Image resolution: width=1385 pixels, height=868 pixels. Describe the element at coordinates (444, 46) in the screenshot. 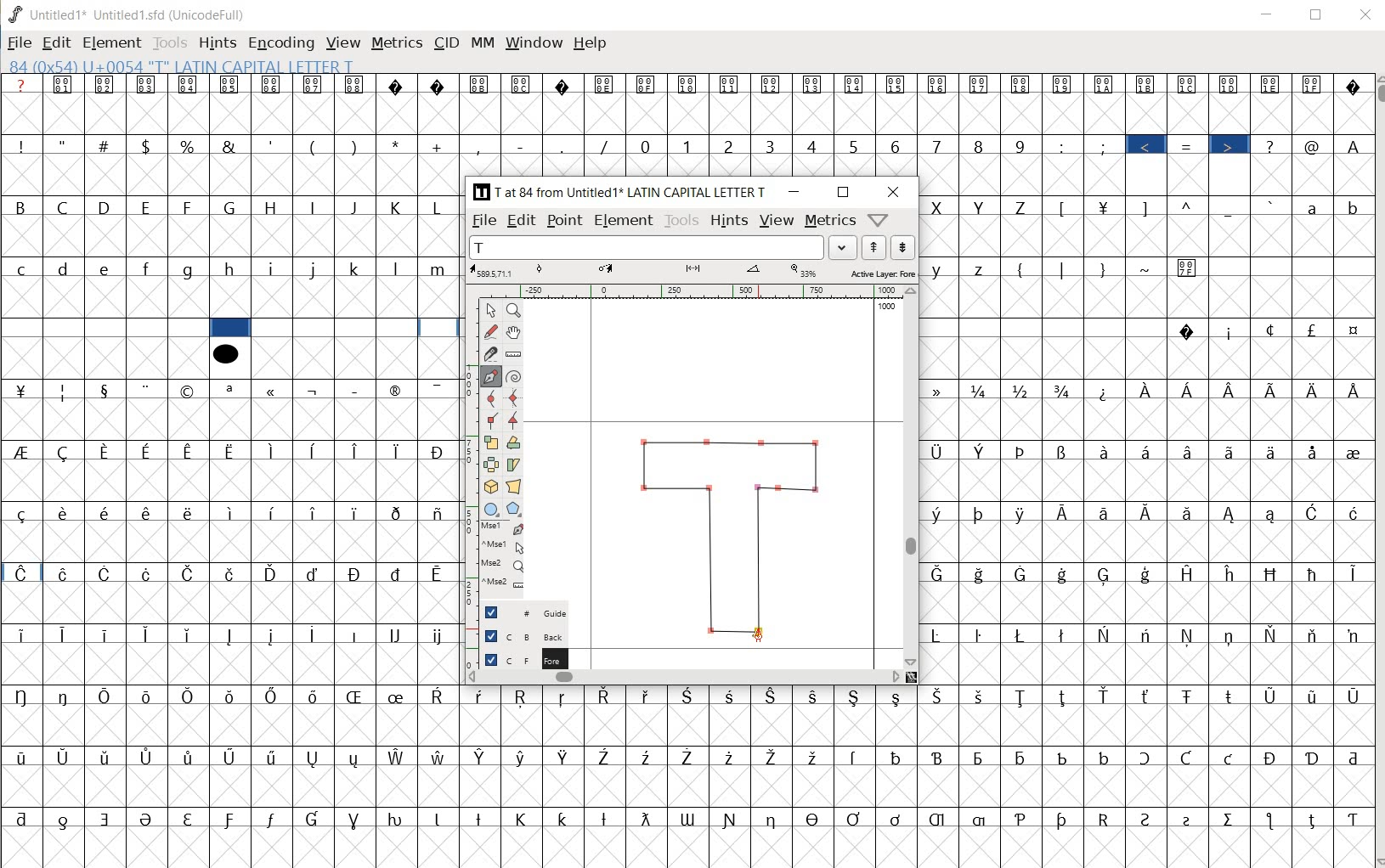

I see `cid` at that location.